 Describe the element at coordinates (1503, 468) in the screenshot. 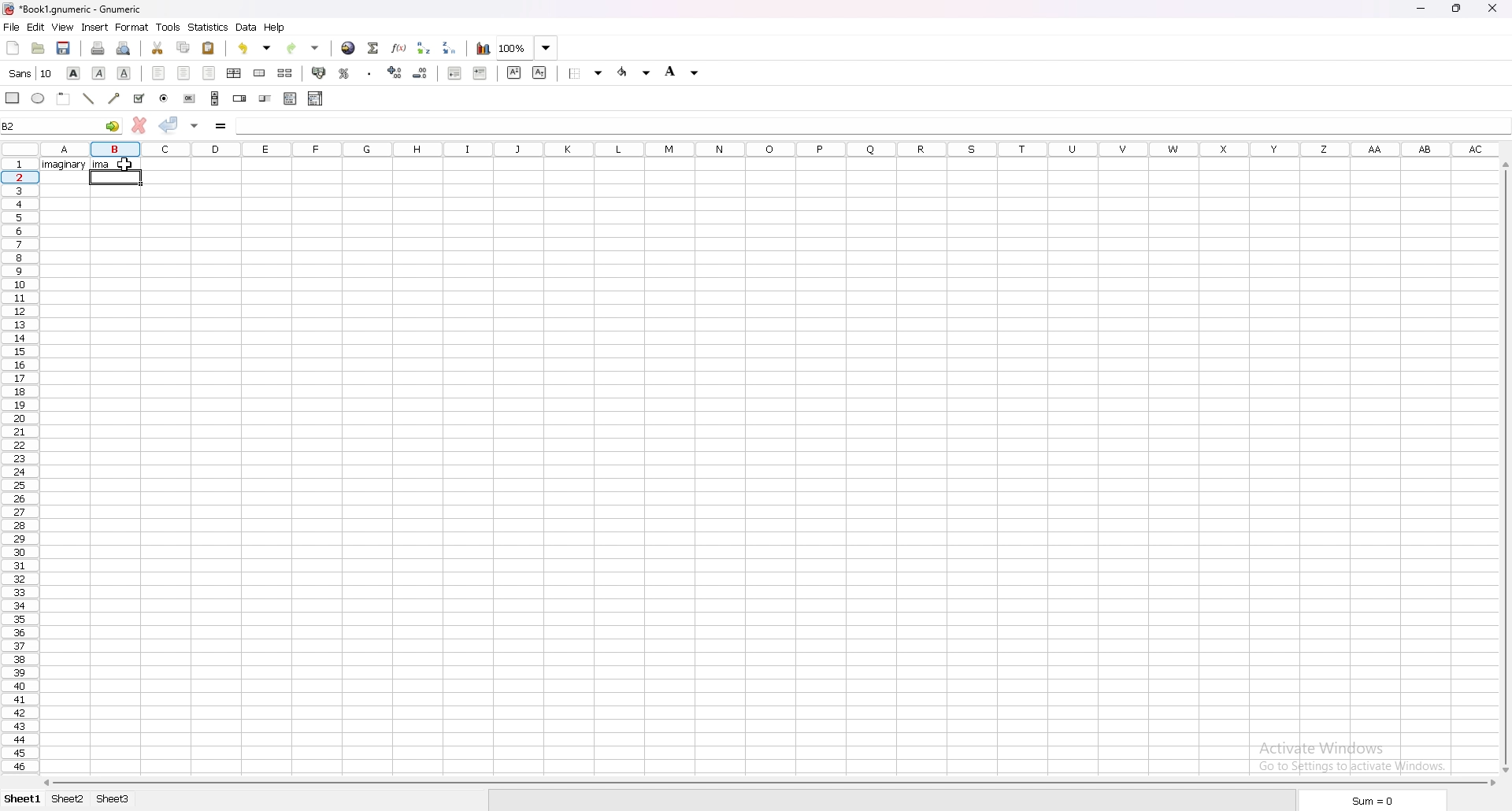

I see `scroll bar` at that location.